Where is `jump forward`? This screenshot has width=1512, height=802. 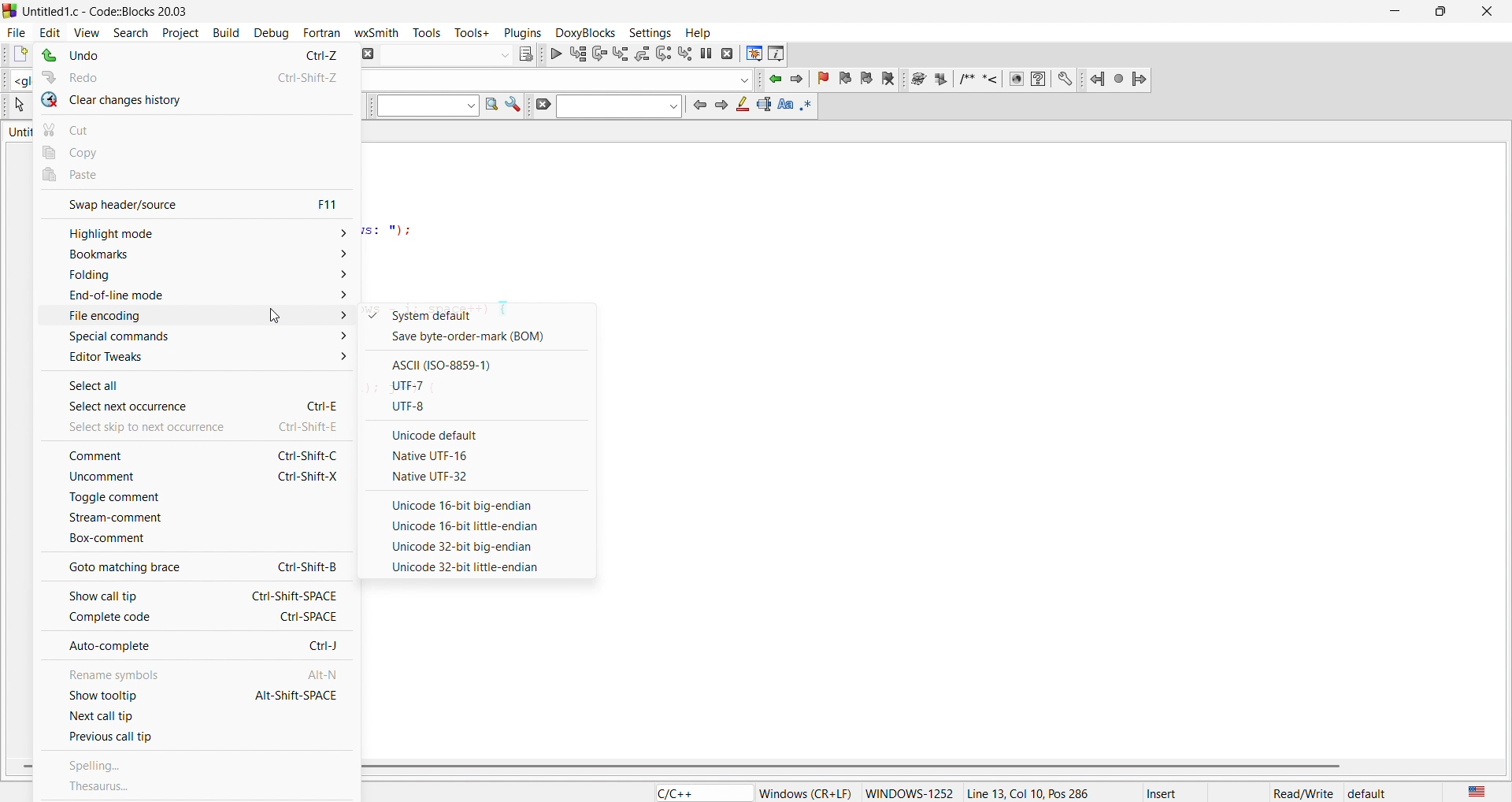
jump forward is located at coordinates (1141, 80).